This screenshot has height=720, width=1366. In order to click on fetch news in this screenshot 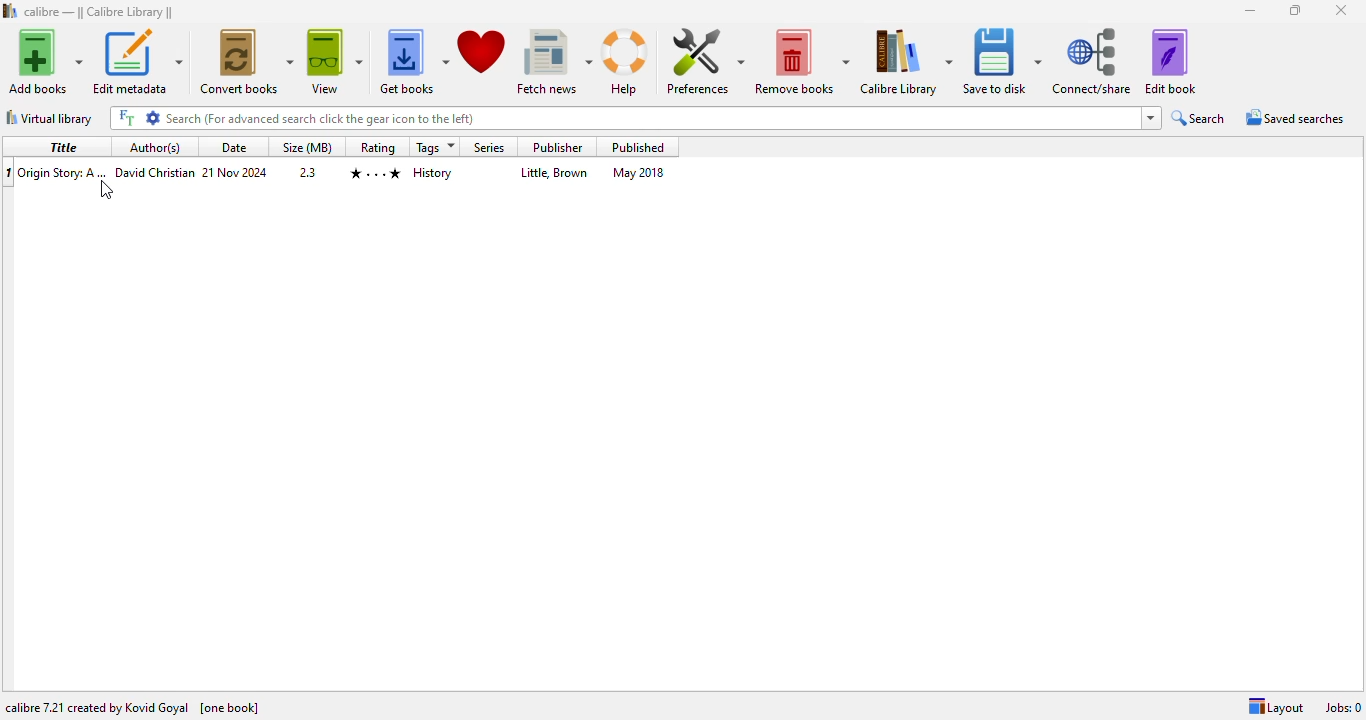, I will do `click(554, 62)`.